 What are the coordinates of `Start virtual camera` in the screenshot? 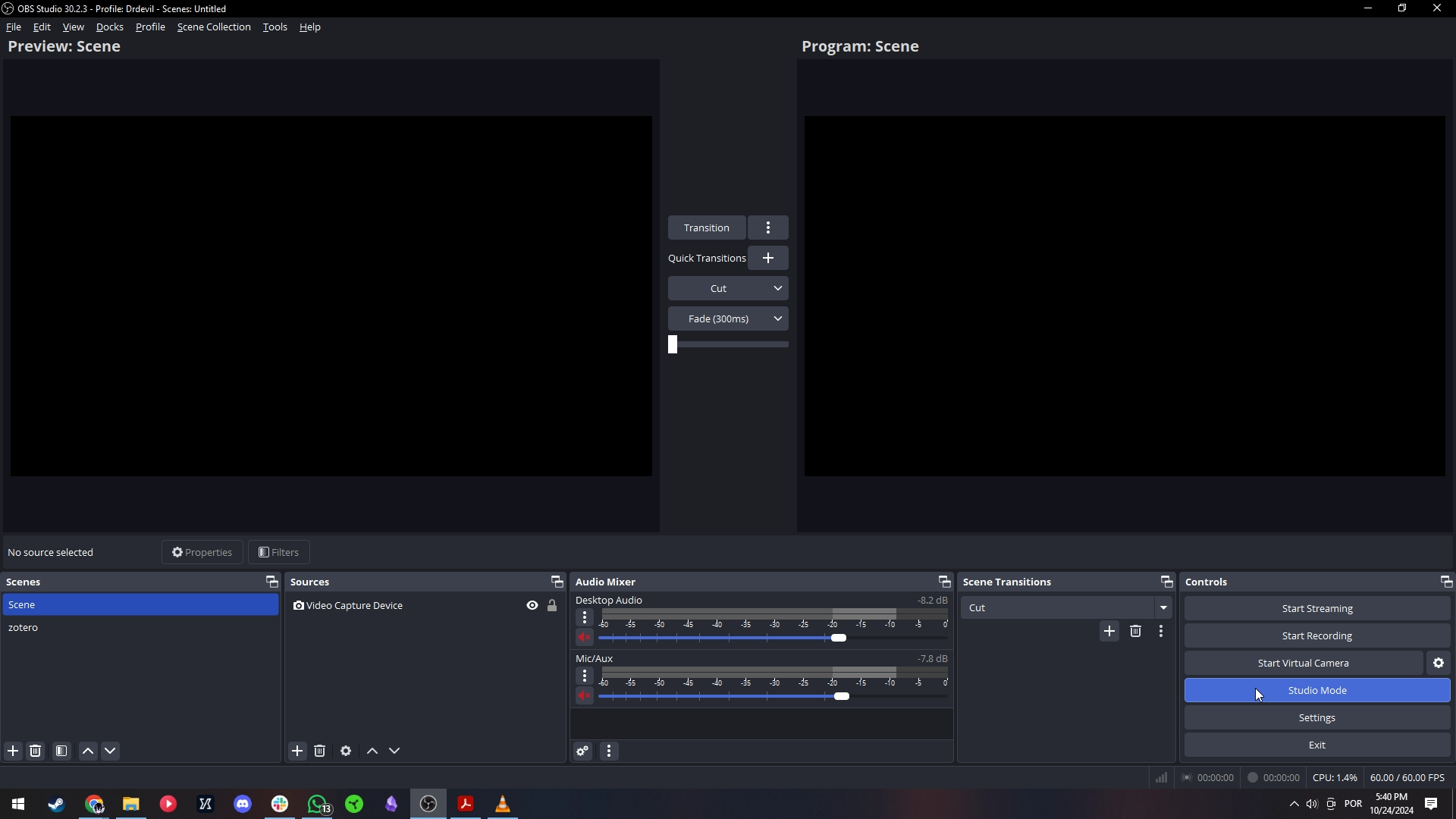 It's located at (1304, 662).